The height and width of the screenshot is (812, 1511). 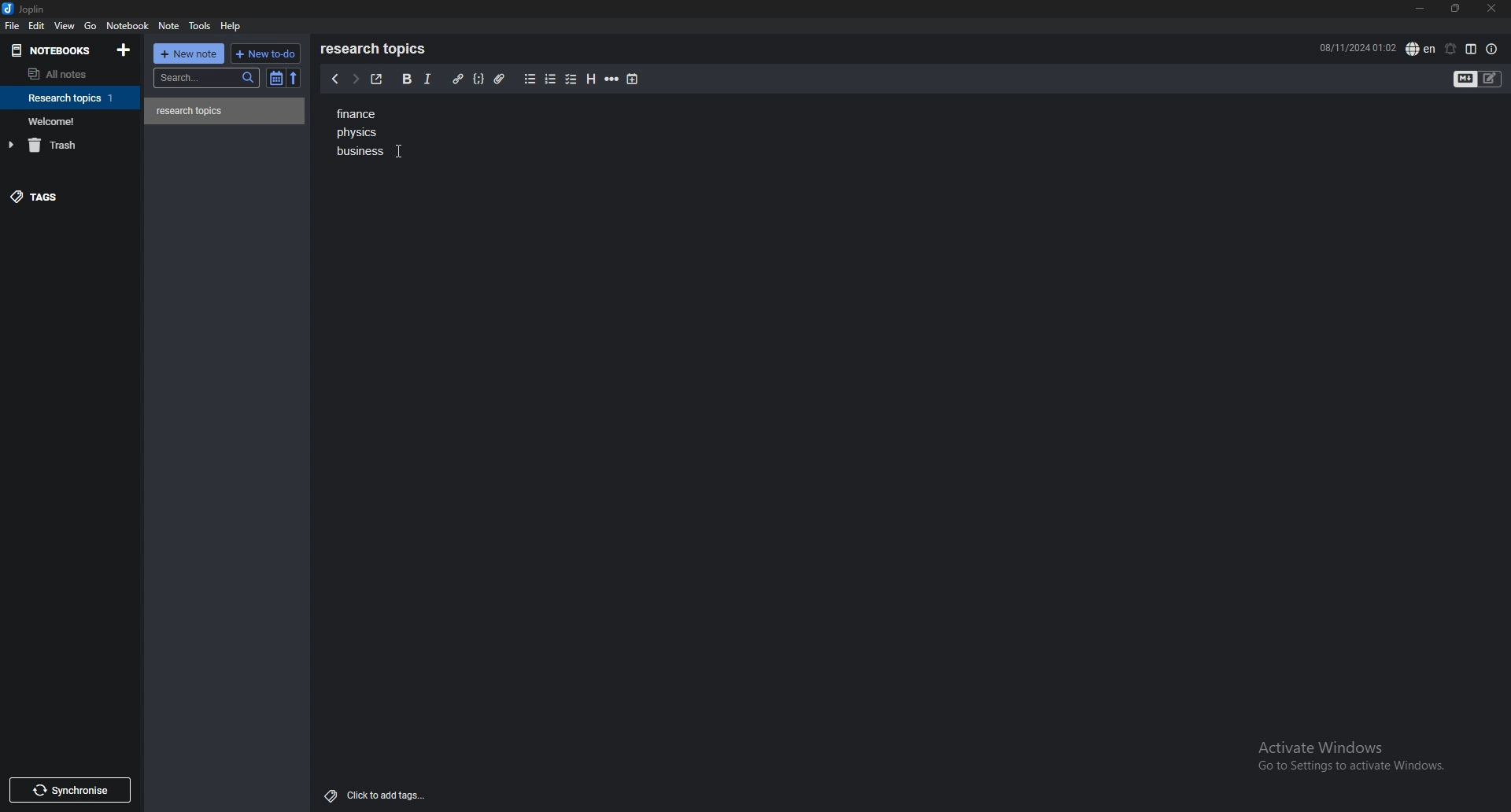 I want to click on italic, so click(x=427, y=79).